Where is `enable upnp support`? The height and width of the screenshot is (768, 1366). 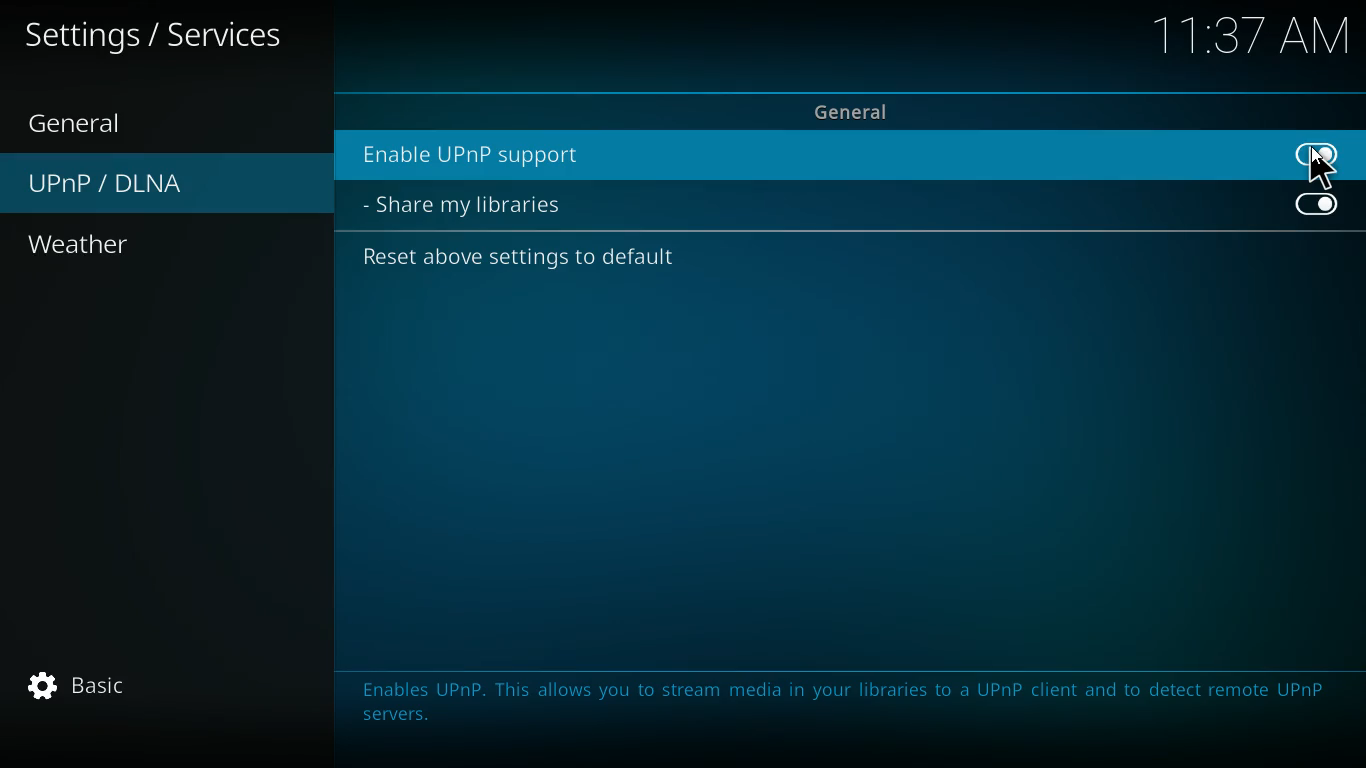 enable upnp support is located at coordinates (807, 155).